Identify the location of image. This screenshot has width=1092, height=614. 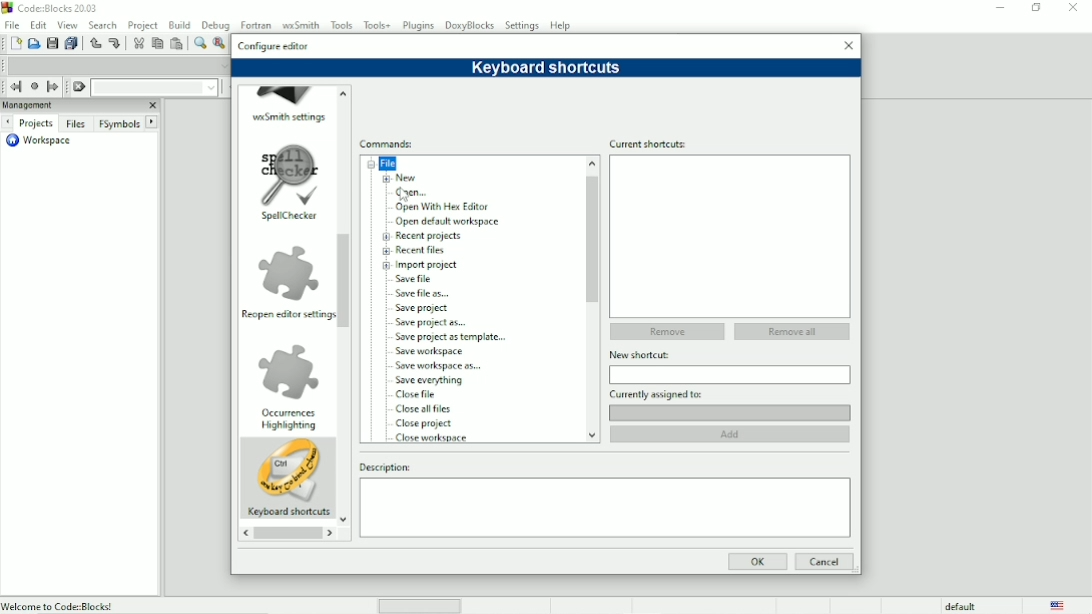
(289, 173).